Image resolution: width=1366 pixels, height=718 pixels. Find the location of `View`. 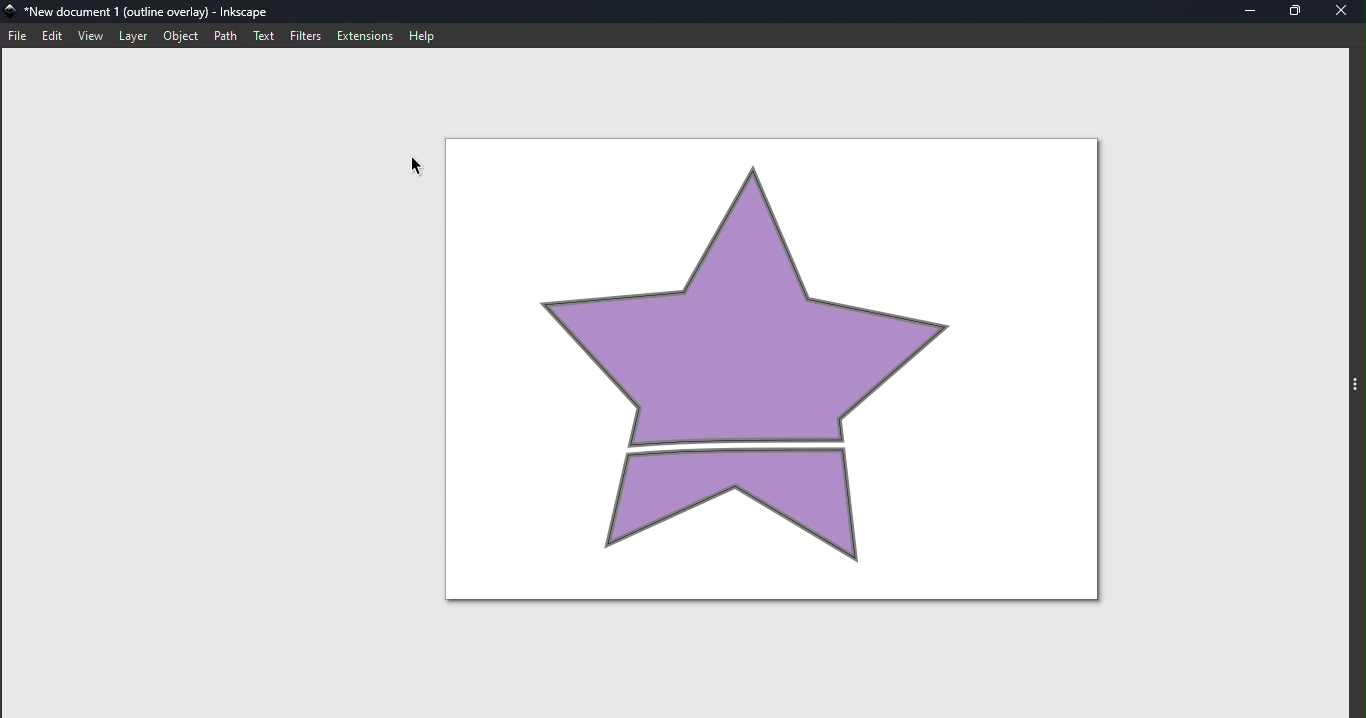

View is located at coordinates (93, 34).